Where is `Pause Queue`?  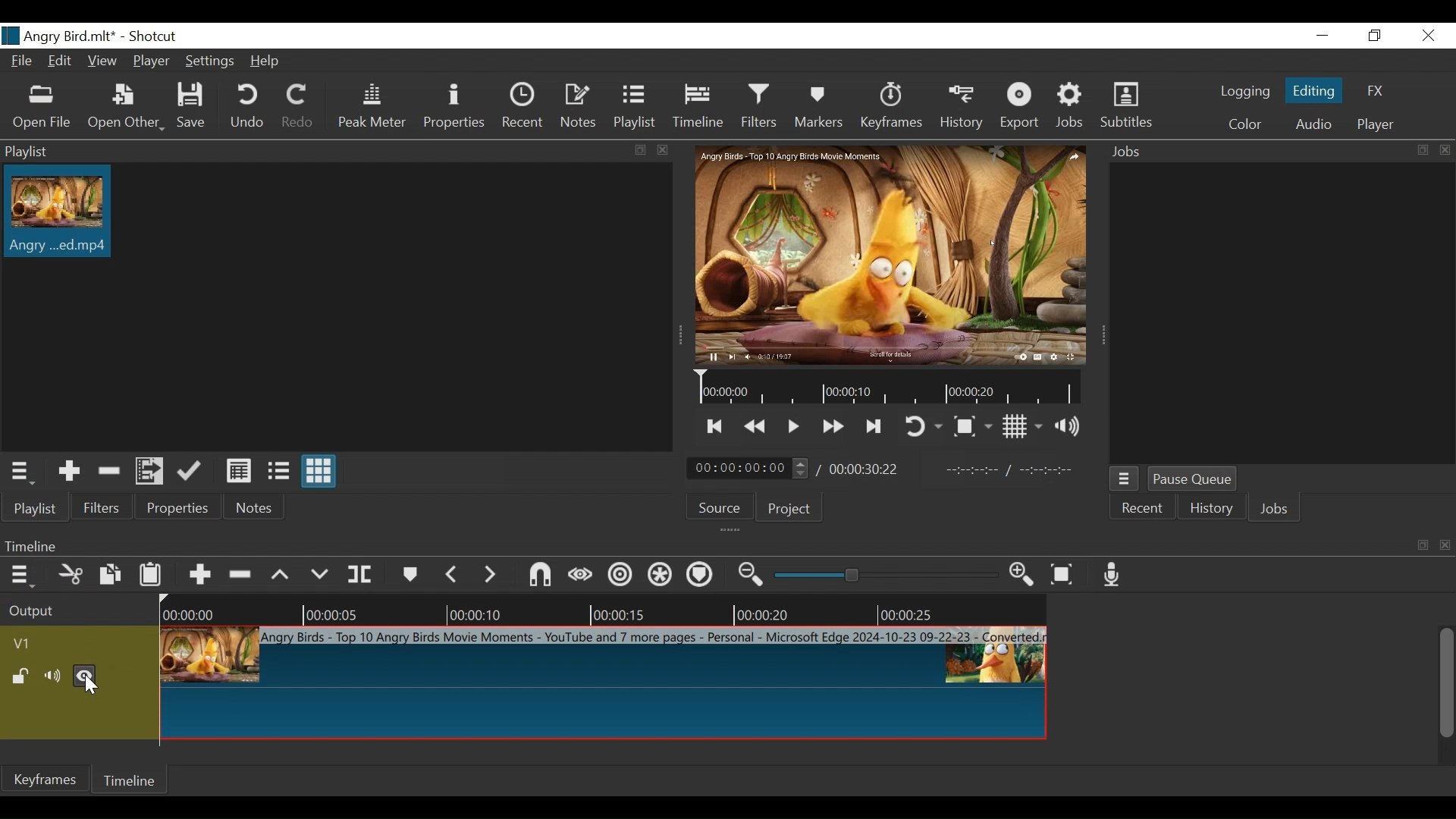 Pause Queue is located at coordinates (1193, 479).